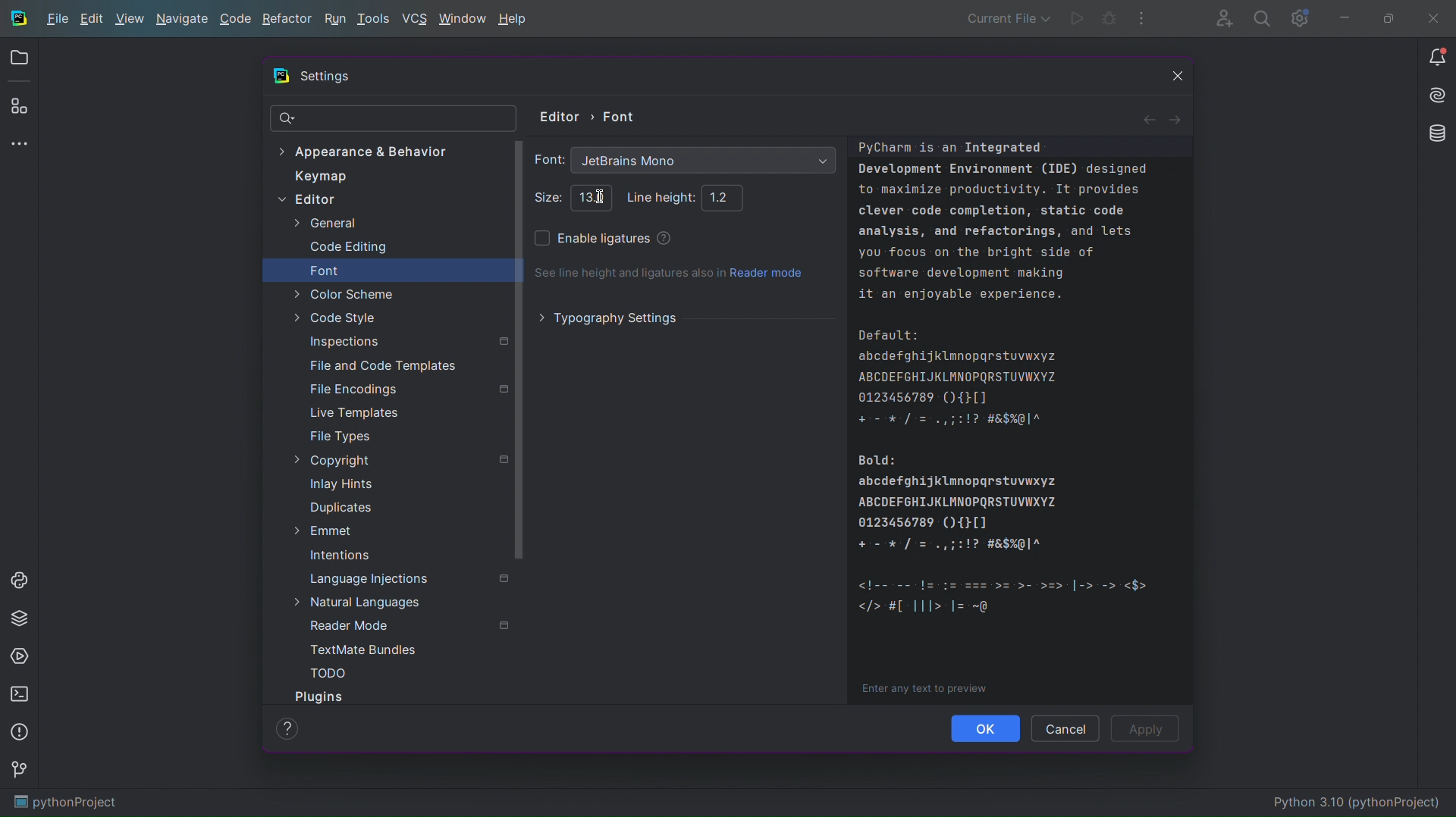 This screenshot has height=817, width=1456. Describe the element at coordinates (19, 60) in the screenshot. I see `Open` at that location.